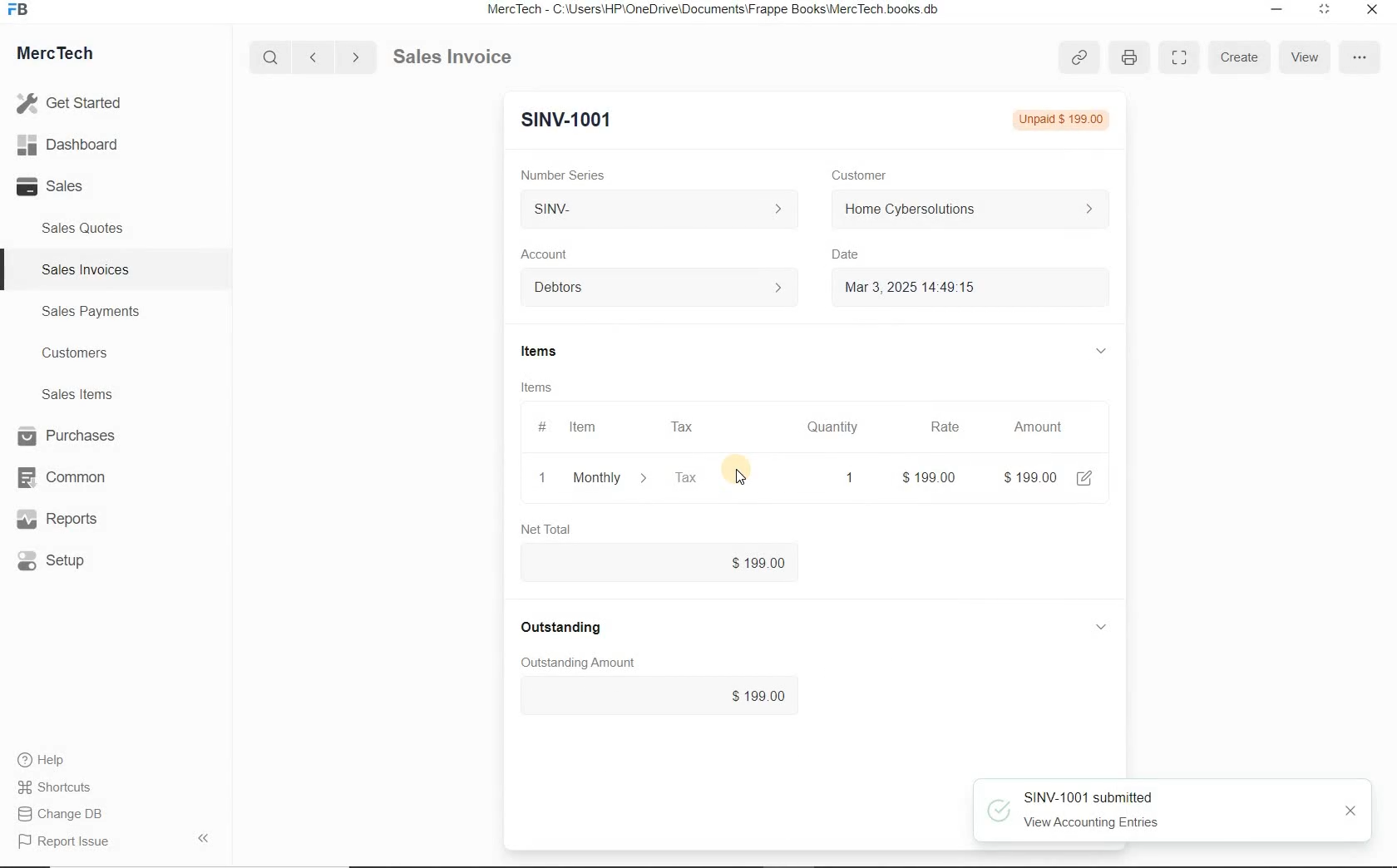 This screenshot has width=1397, height=868. I want to click on Items, so click(548, 353).